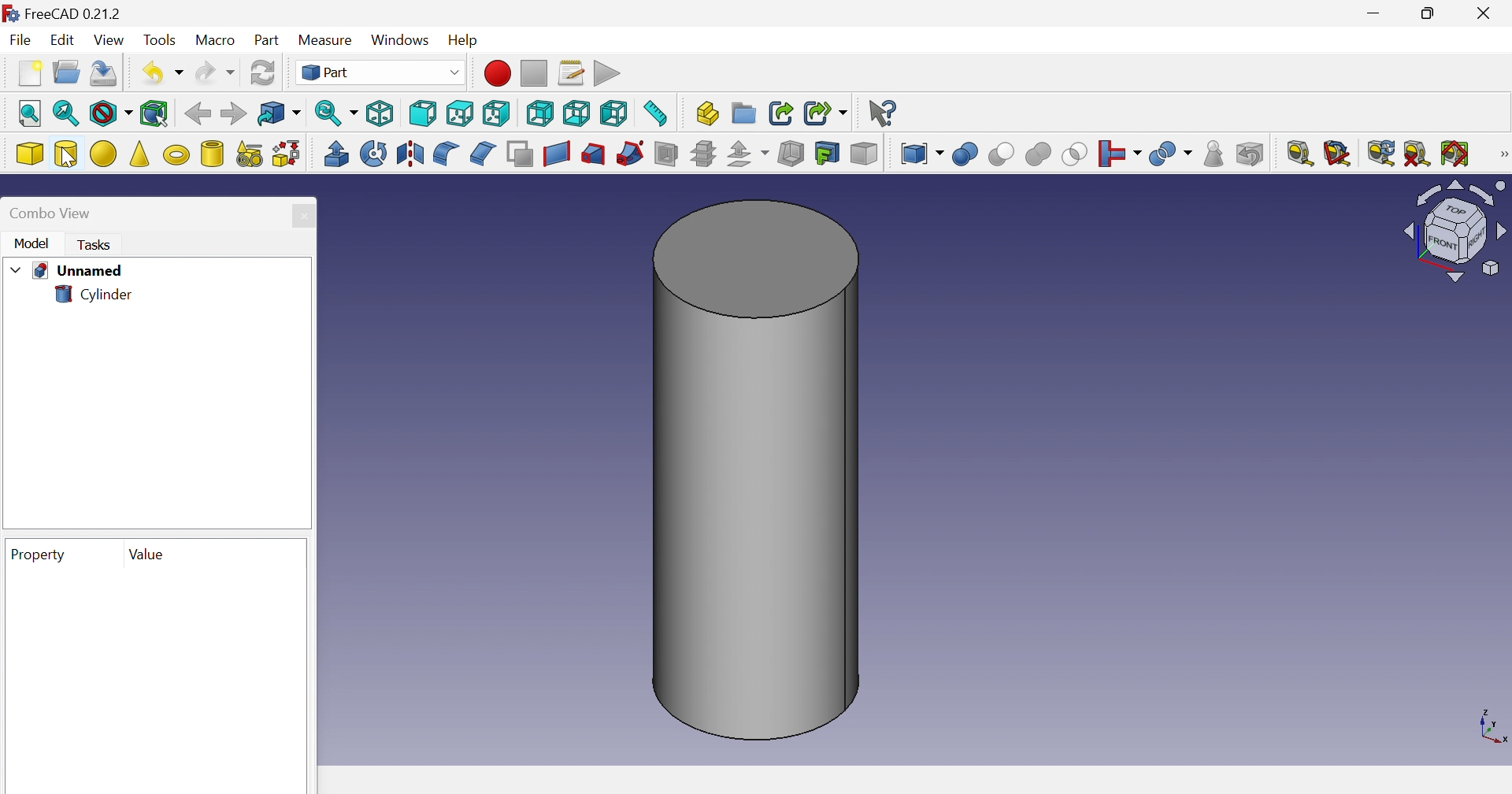  I want to click on Bottom, so click(576, 115).